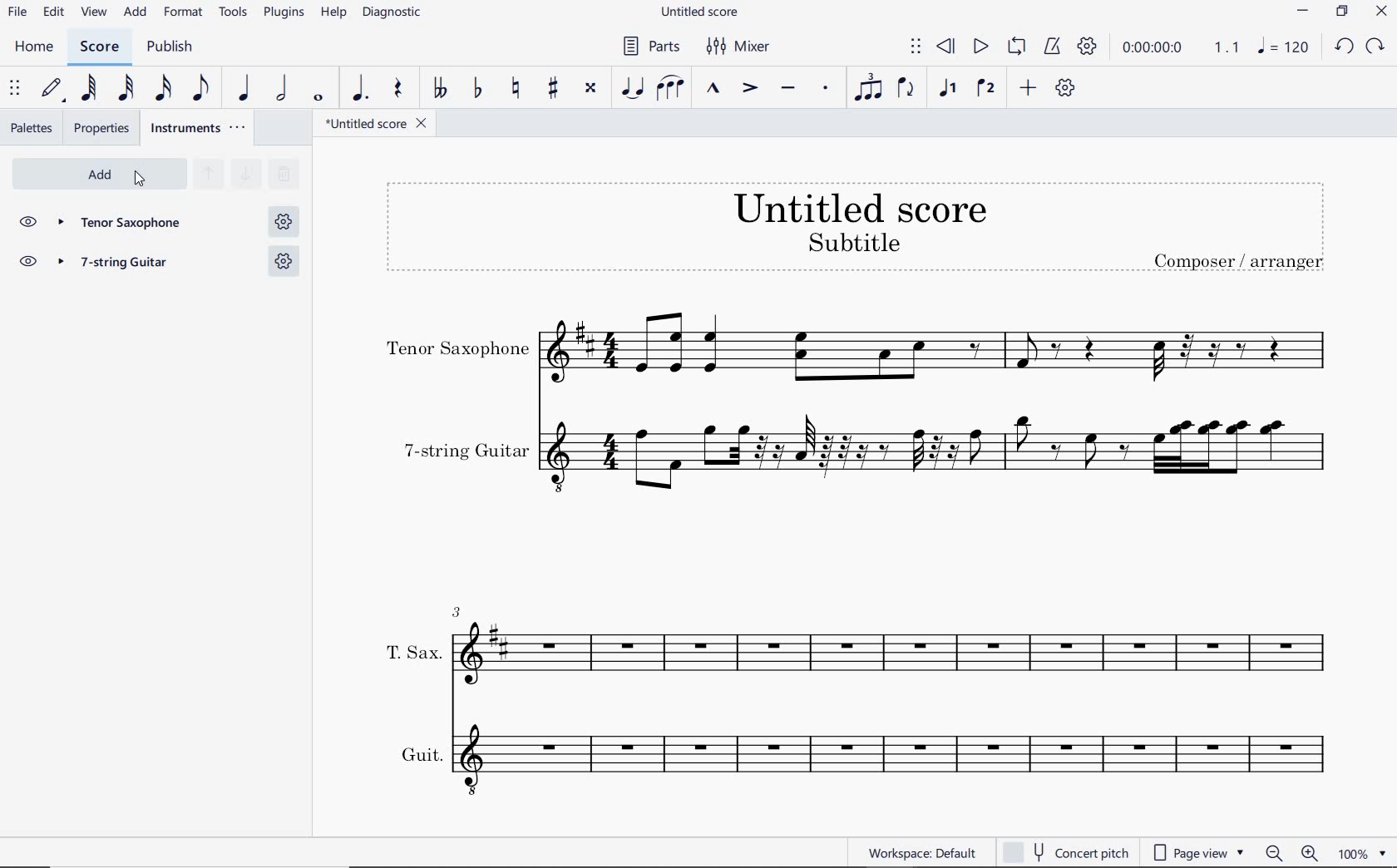  What do you see at coordinates (947, 90) in the screenshot?
I see `VOICE 1` at bounding box center [947, 90].